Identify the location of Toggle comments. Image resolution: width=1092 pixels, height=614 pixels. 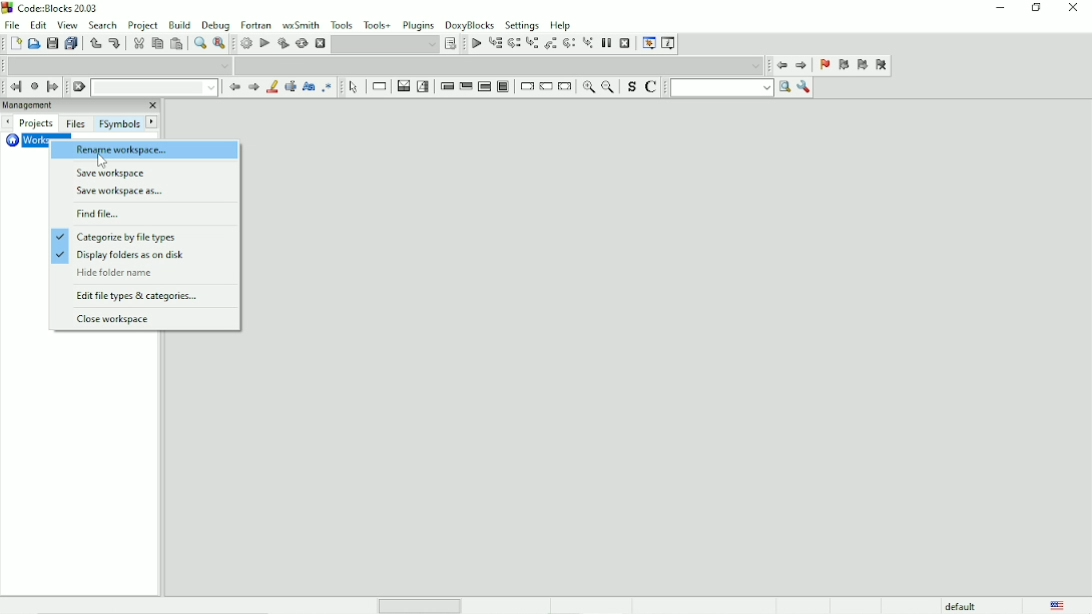
(653, 87).